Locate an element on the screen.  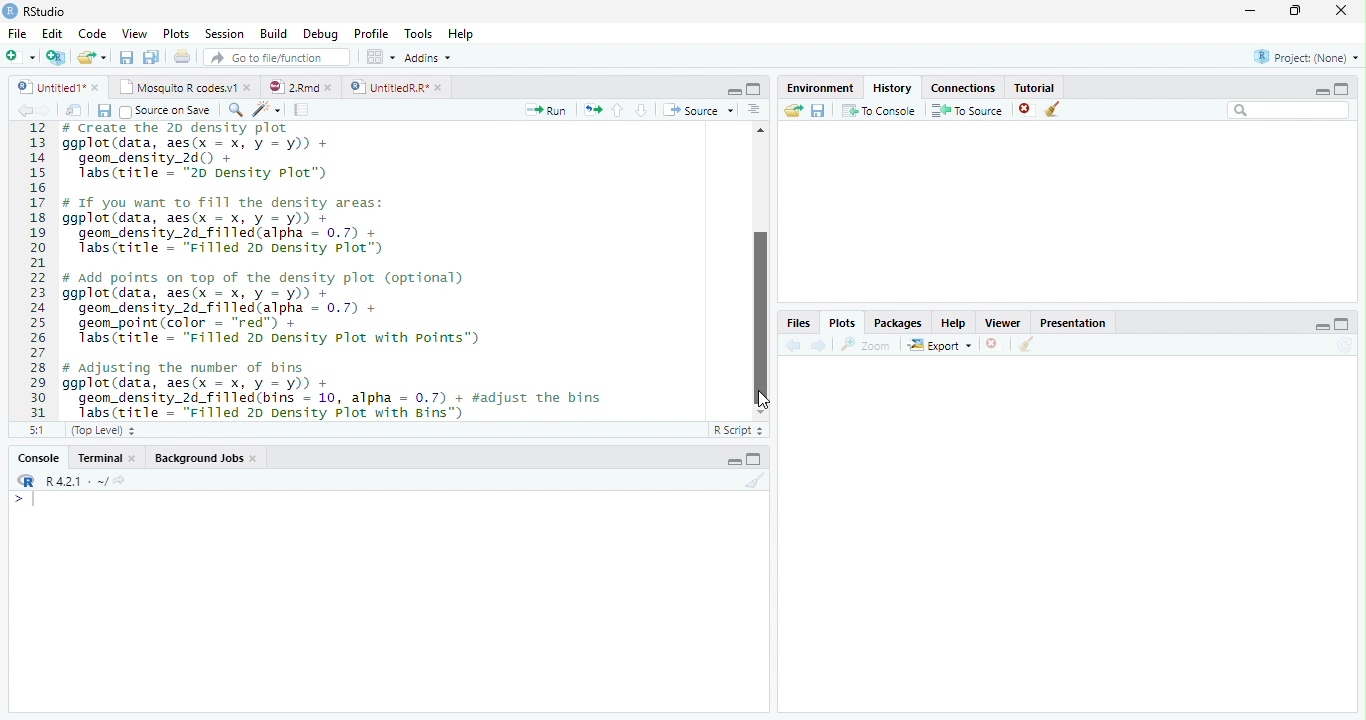
zoom is located at coordinates (869, 346).